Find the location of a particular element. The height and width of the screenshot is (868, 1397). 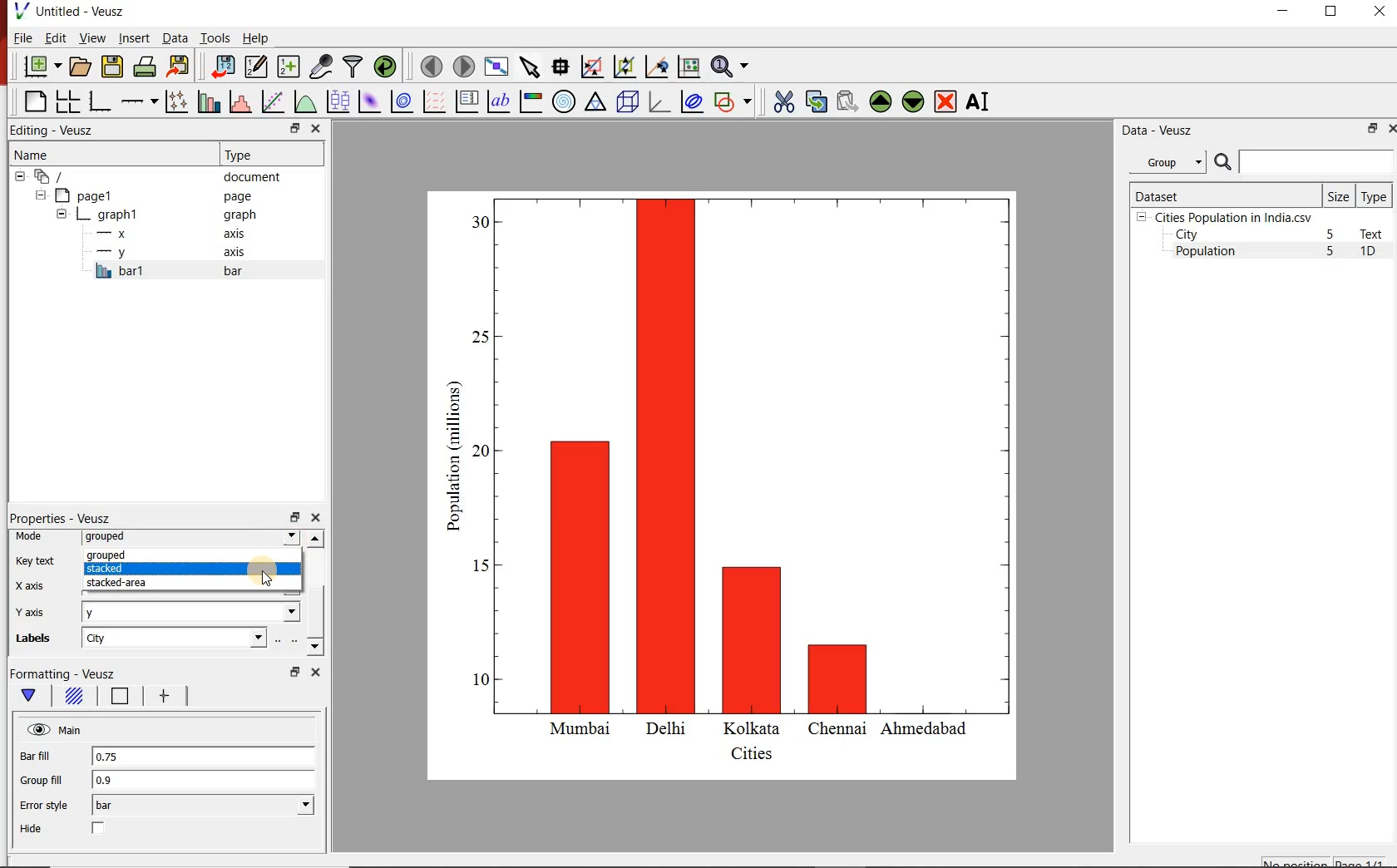

click or draw a rectangle to zoom graph indexes is located at coordinates (590, 66).